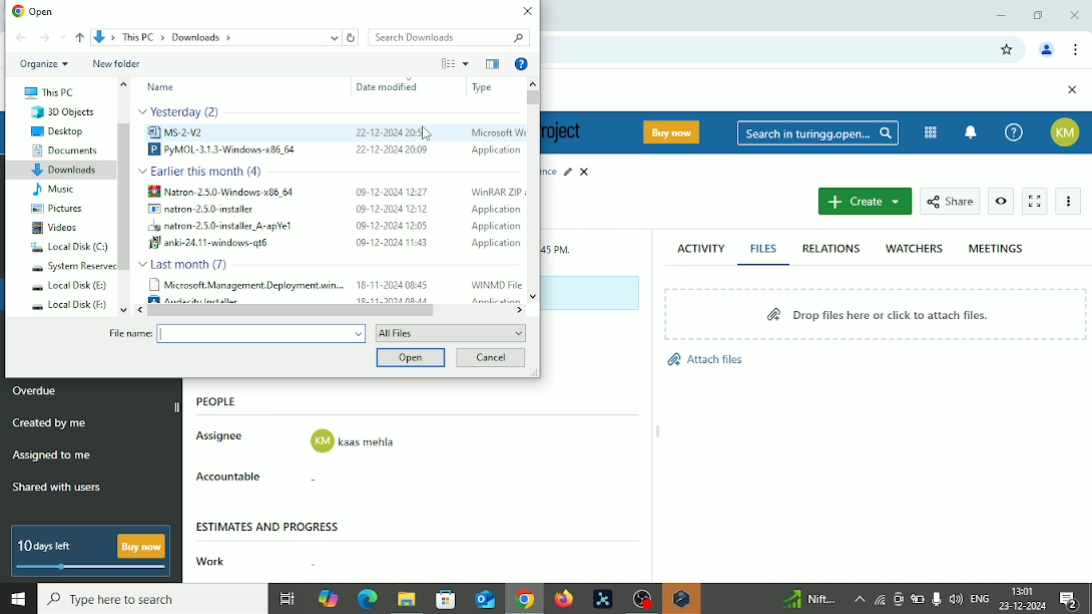 This screenshot has width=1092, height=614. What do you see at coordinates (532, 98) in the screenshot?
I see `Vertical scrollbar` at bounding box center [532, 98].